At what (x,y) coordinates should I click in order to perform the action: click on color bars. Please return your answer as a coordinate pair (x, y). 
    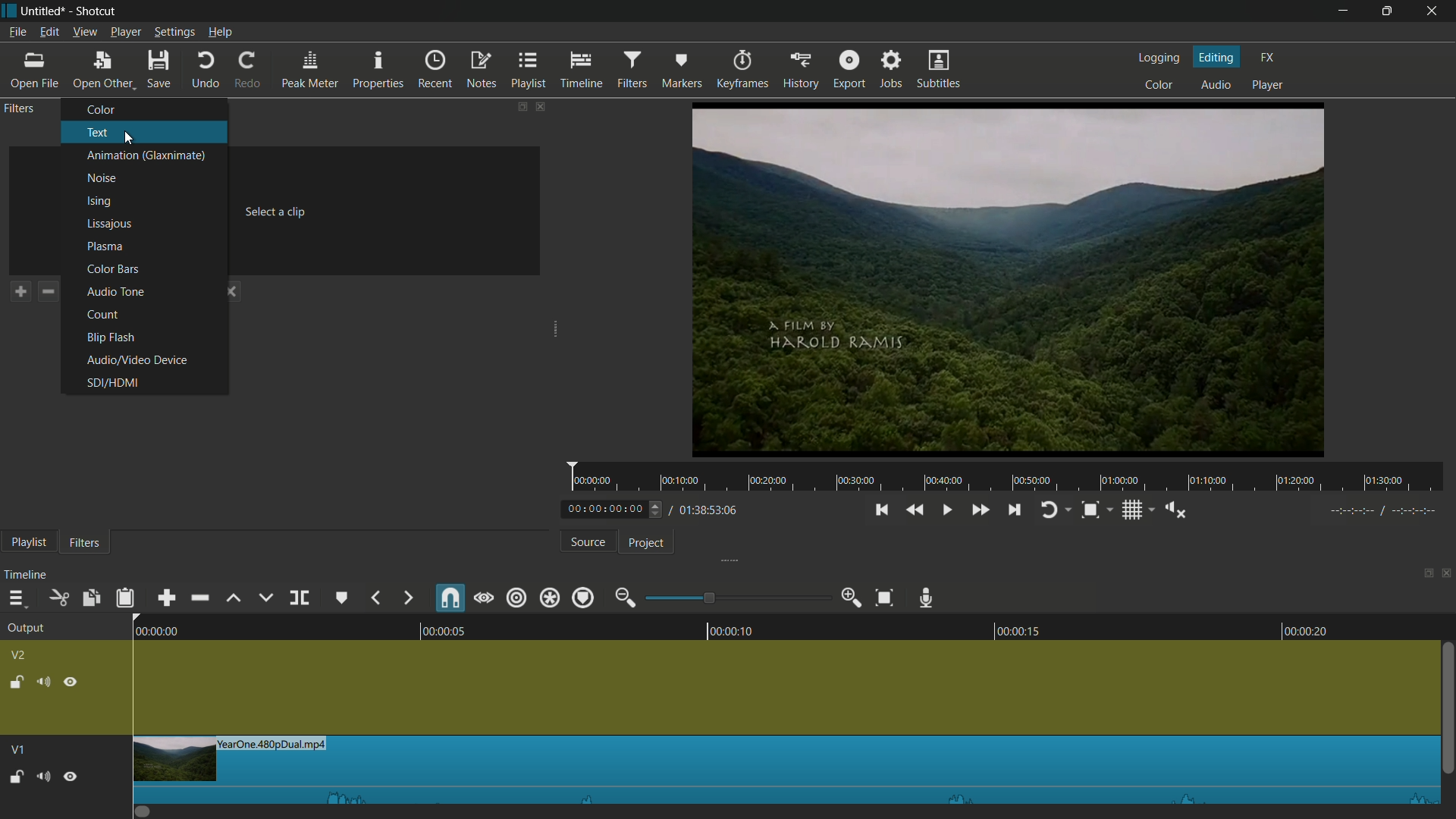
    Looking at the image, I should click on (111, 268).